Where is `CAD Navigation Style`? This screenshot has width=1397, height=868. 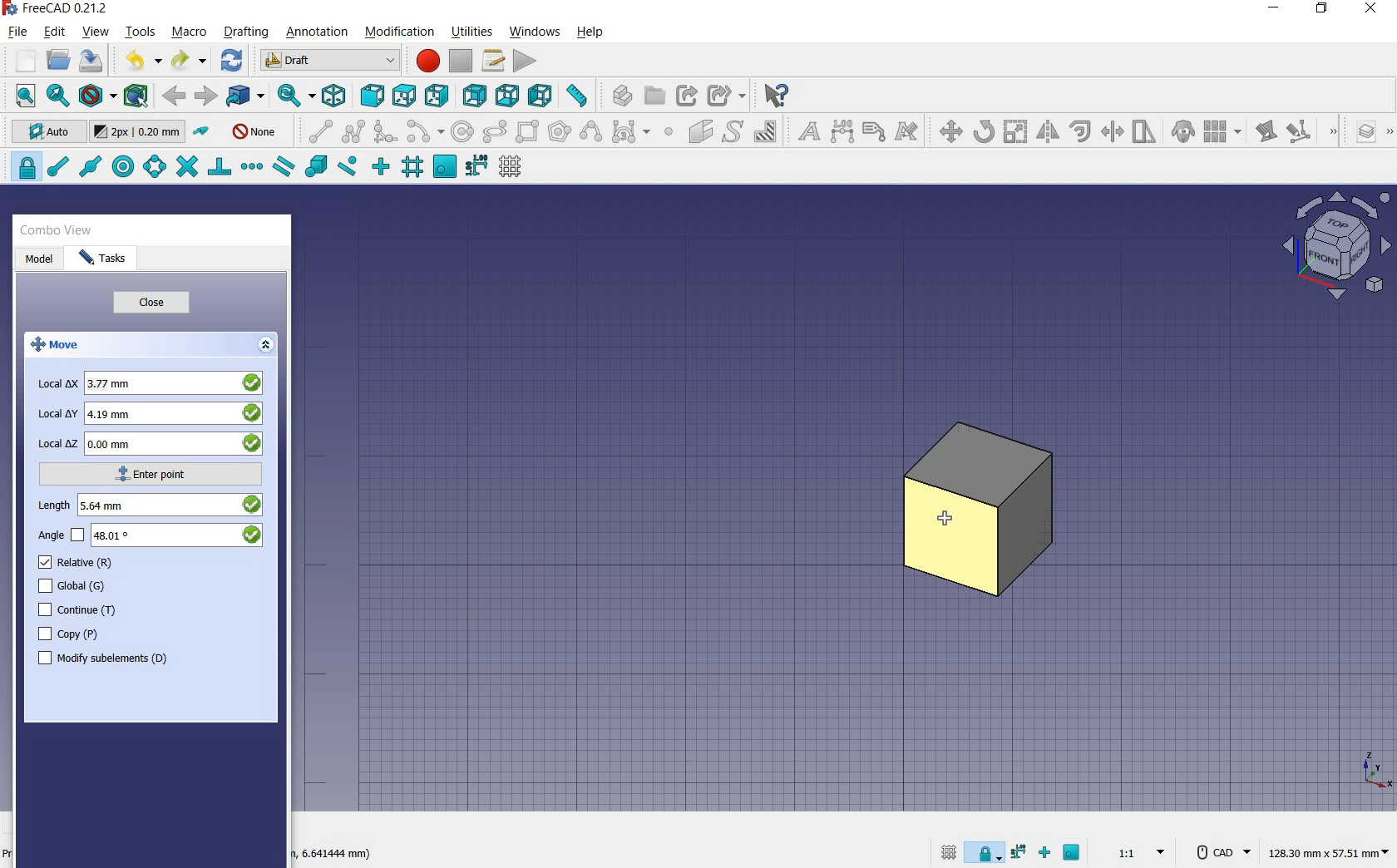 CAD Navigation Style is located at coordinates (1220, 851).